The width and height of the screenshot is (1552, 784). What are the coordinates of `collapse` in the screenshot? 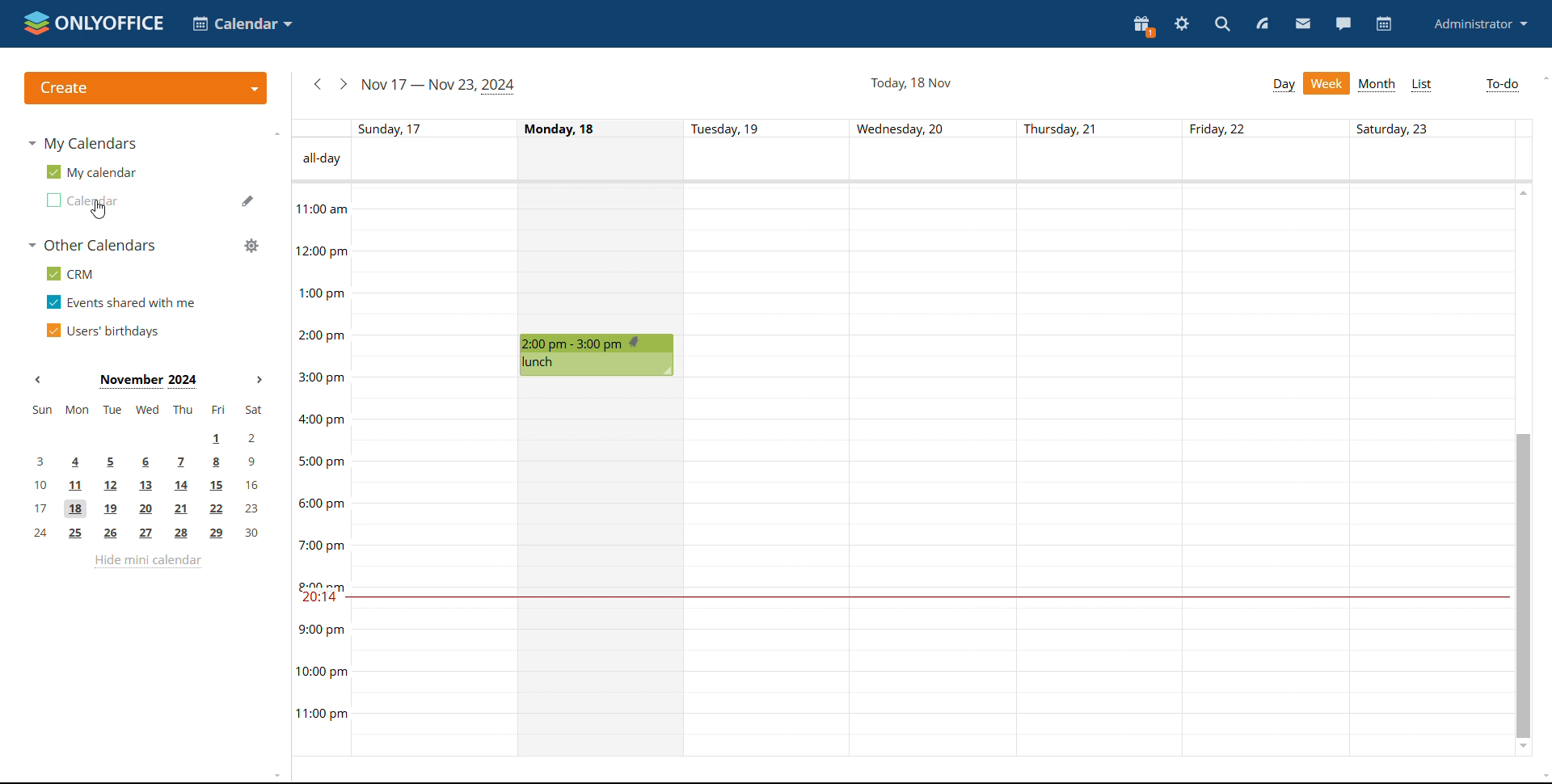 It's located at (277, 134).